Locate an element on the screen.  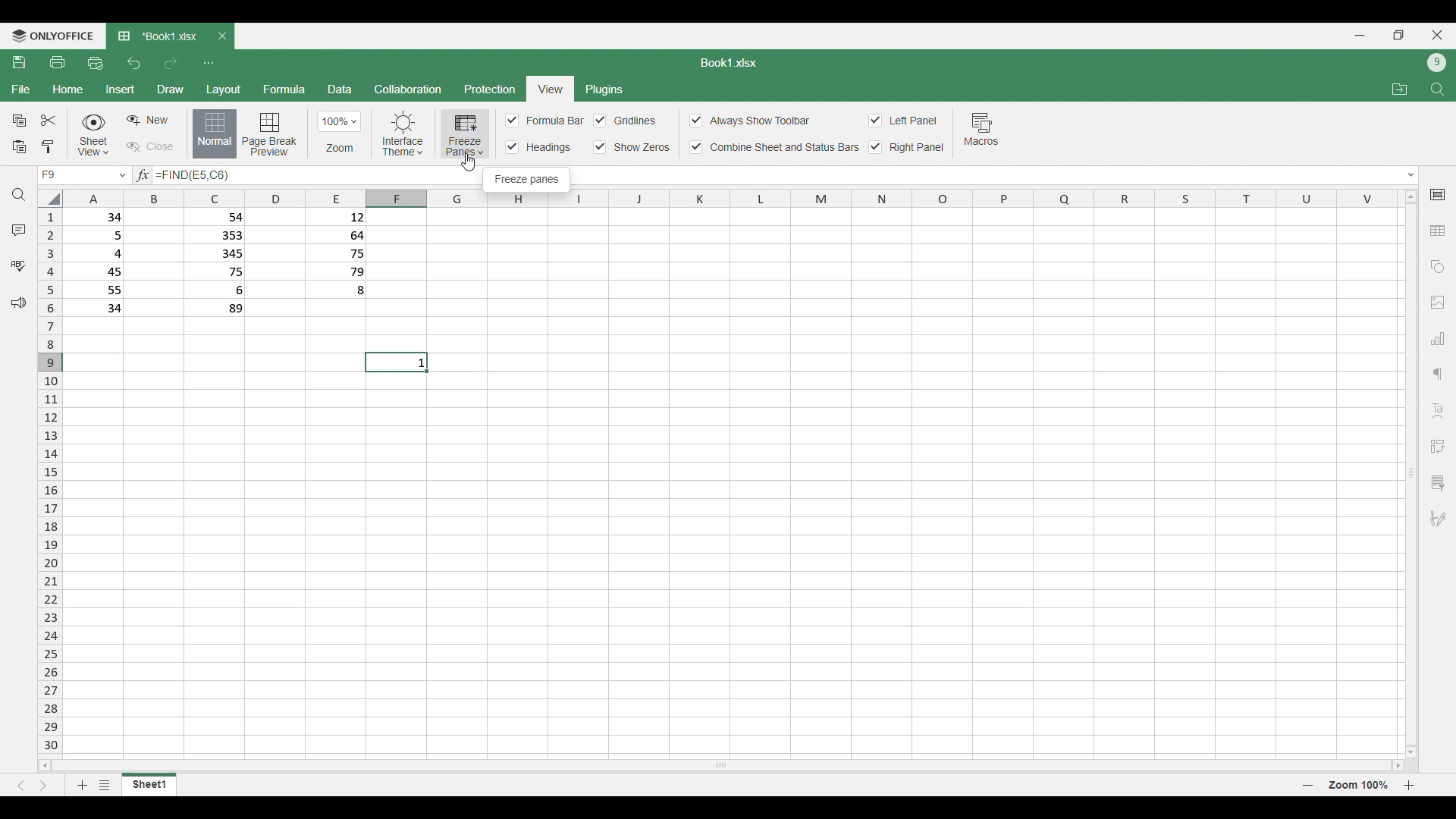
move right is located at coordinates (1394, 765).